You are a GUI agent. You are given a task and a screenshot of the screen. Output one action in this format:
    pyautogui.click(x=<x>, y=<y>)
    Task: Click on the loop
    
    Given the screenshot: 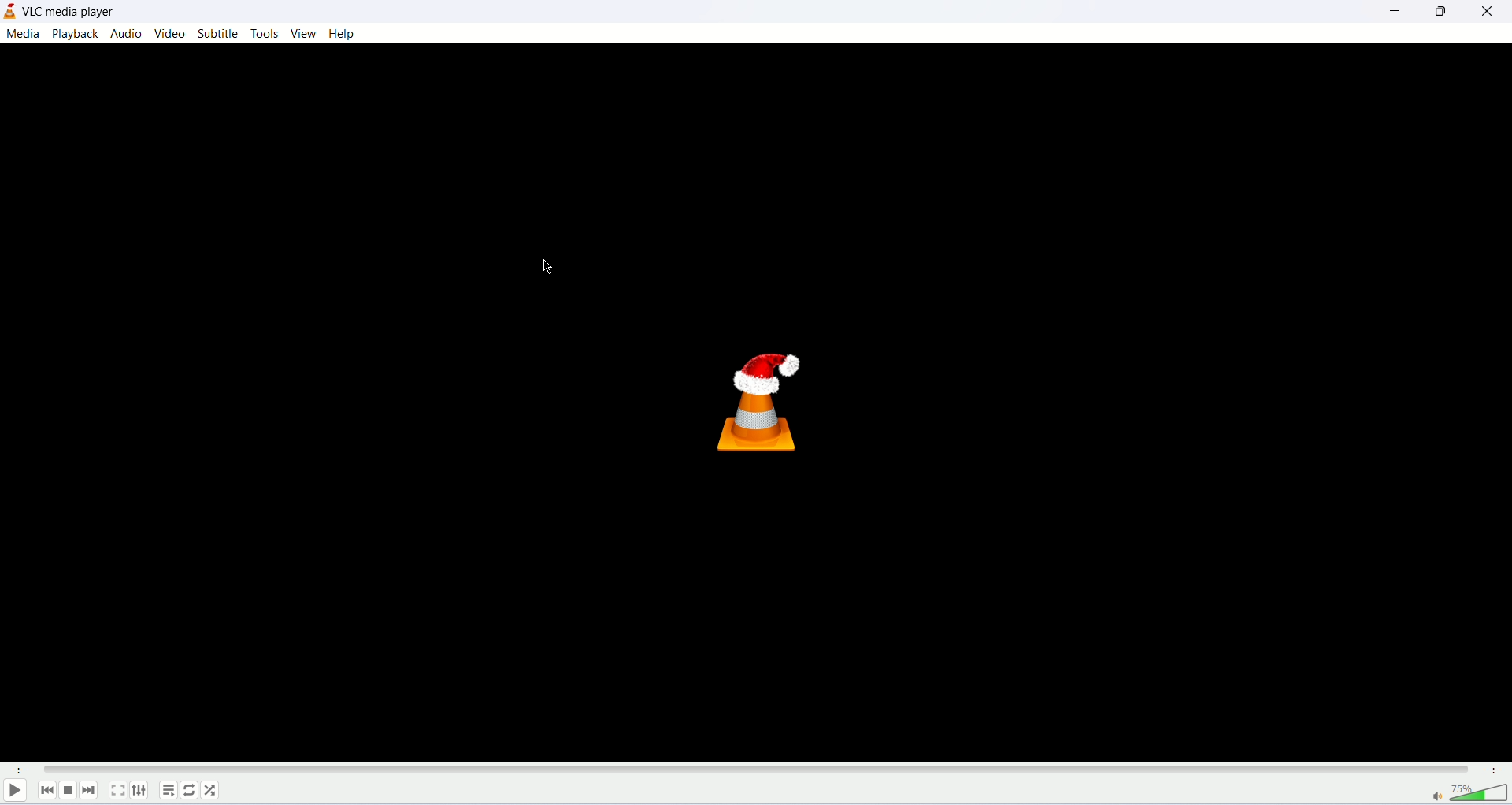 What is the action you would take?
    pyautogui.click(x=190, y=792)
    